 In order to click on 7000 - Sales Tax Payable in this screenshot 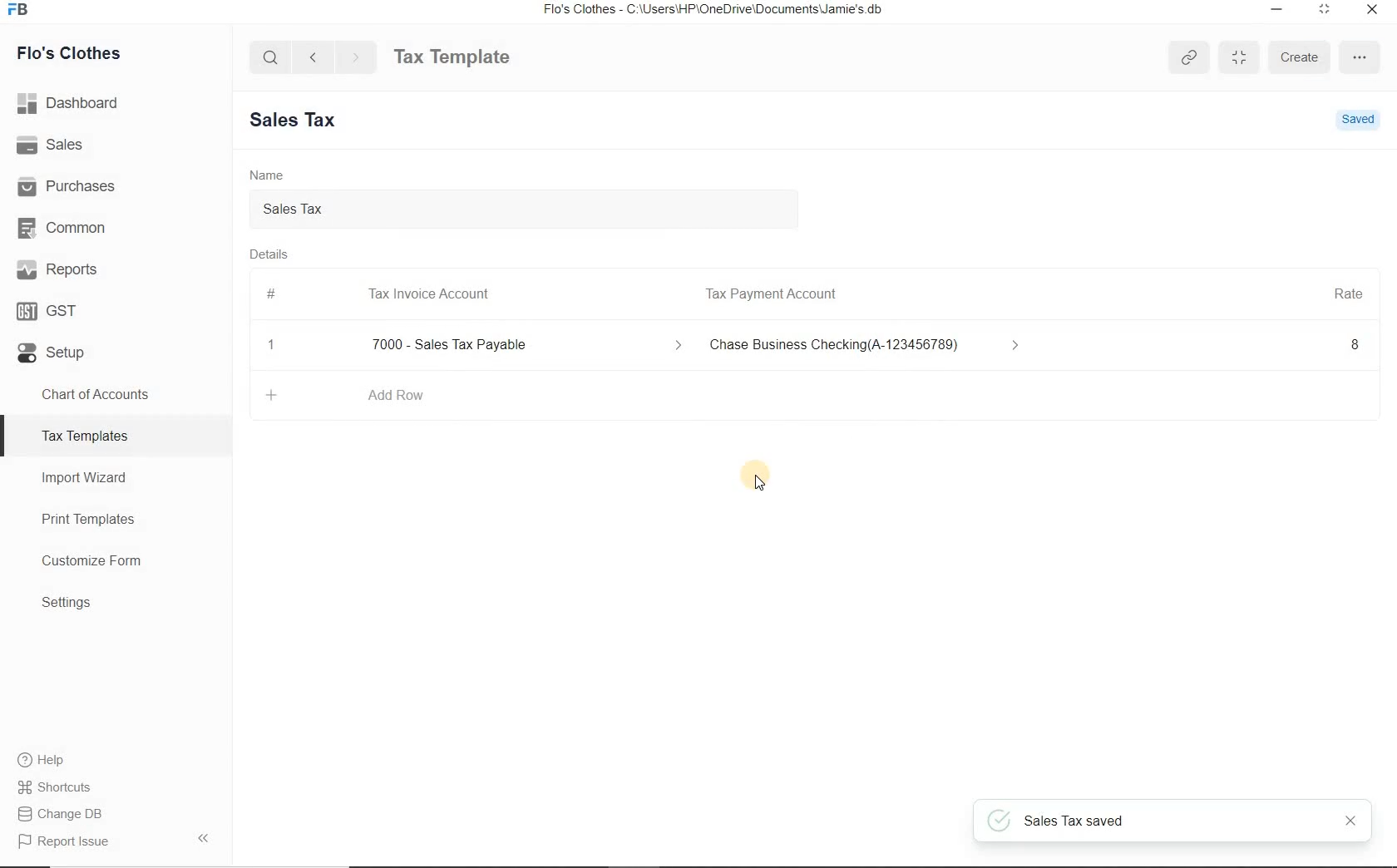, I will do `click(522, 345)`.